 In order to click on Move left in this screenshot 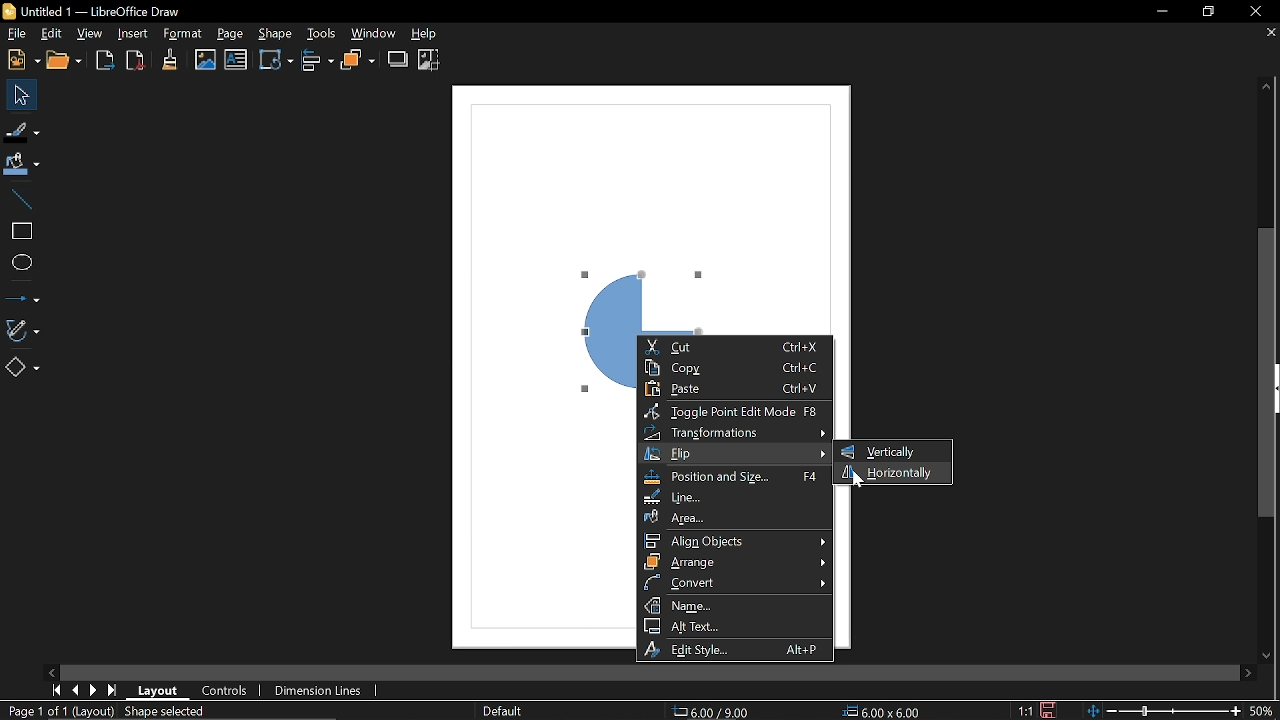, I will do `click(55, 671)`.